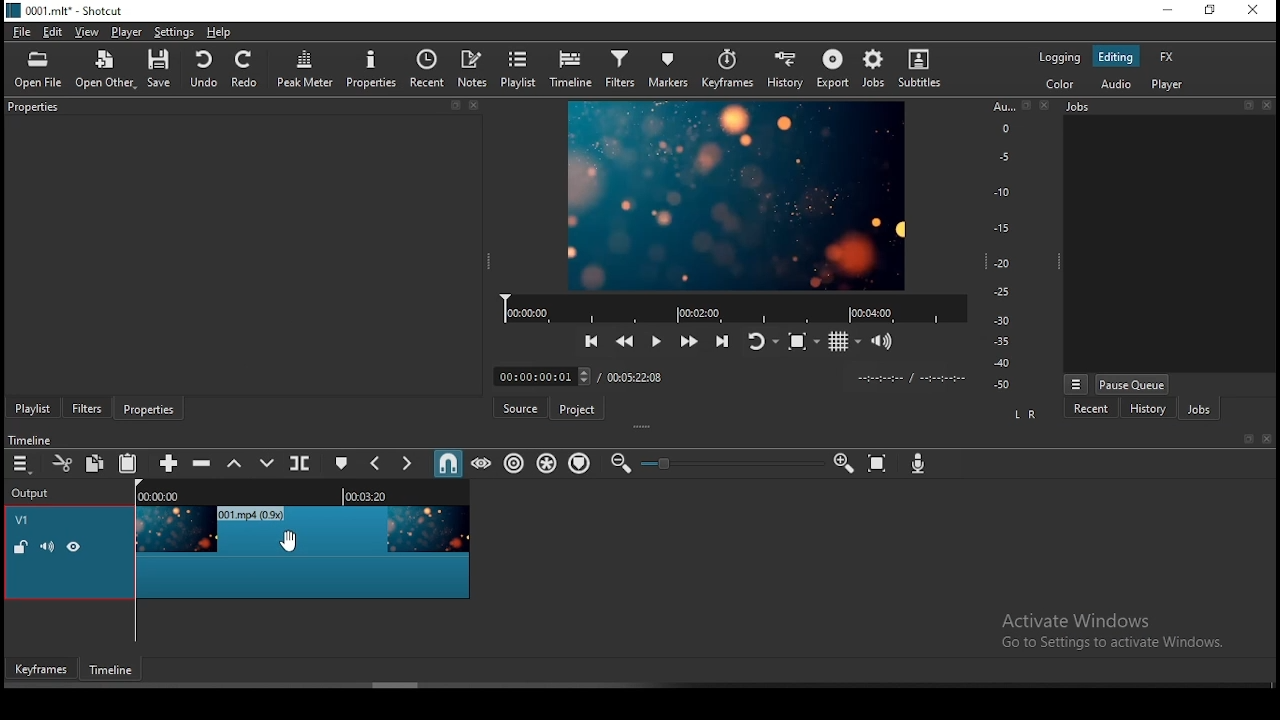 The height and width of the screenshot is (720, 1280). I want to click on filters, so click(620, 68).